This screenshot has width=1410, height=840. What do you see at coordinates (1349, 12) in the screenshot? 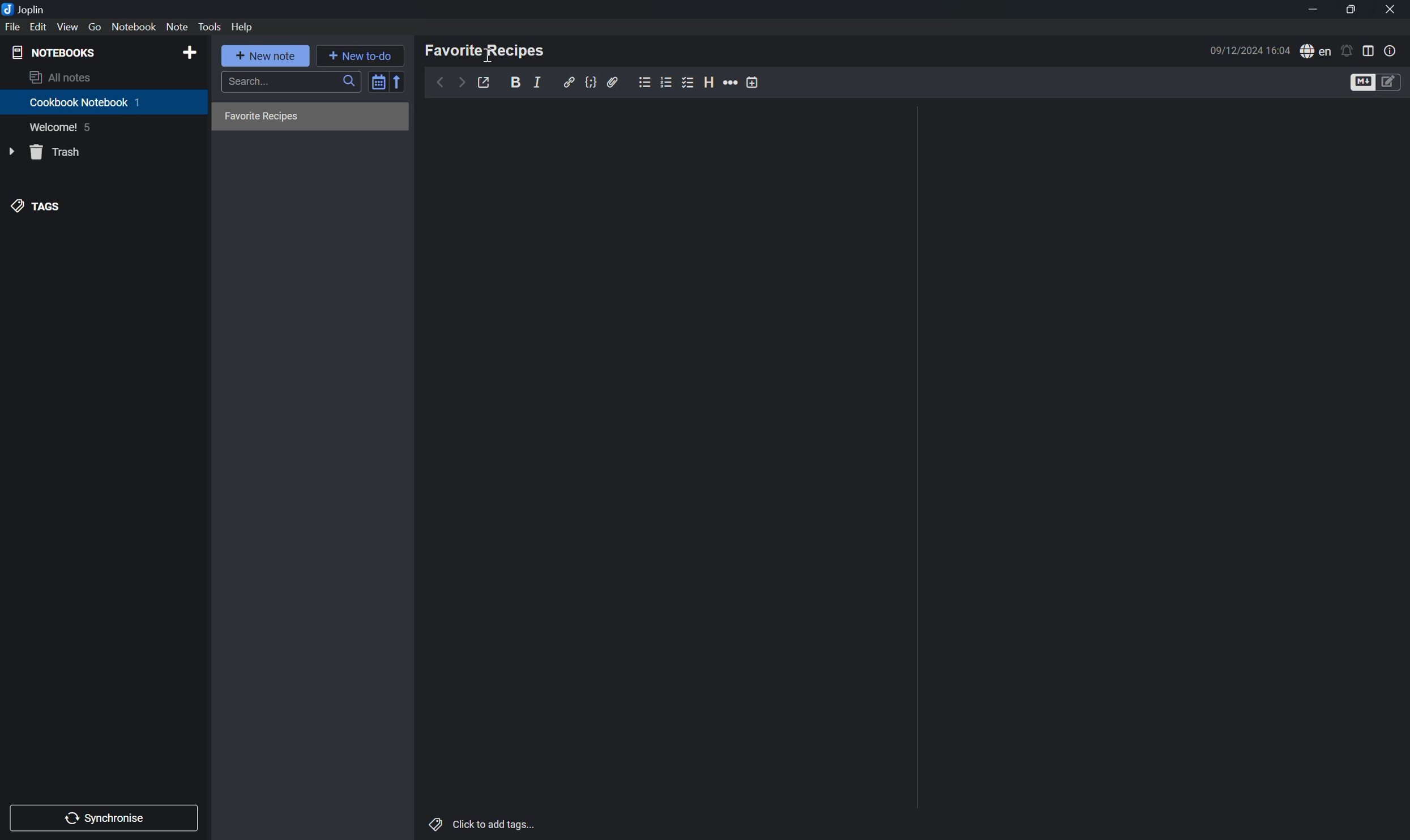
I see `Restore Down` at bounding box center [1349, 12].